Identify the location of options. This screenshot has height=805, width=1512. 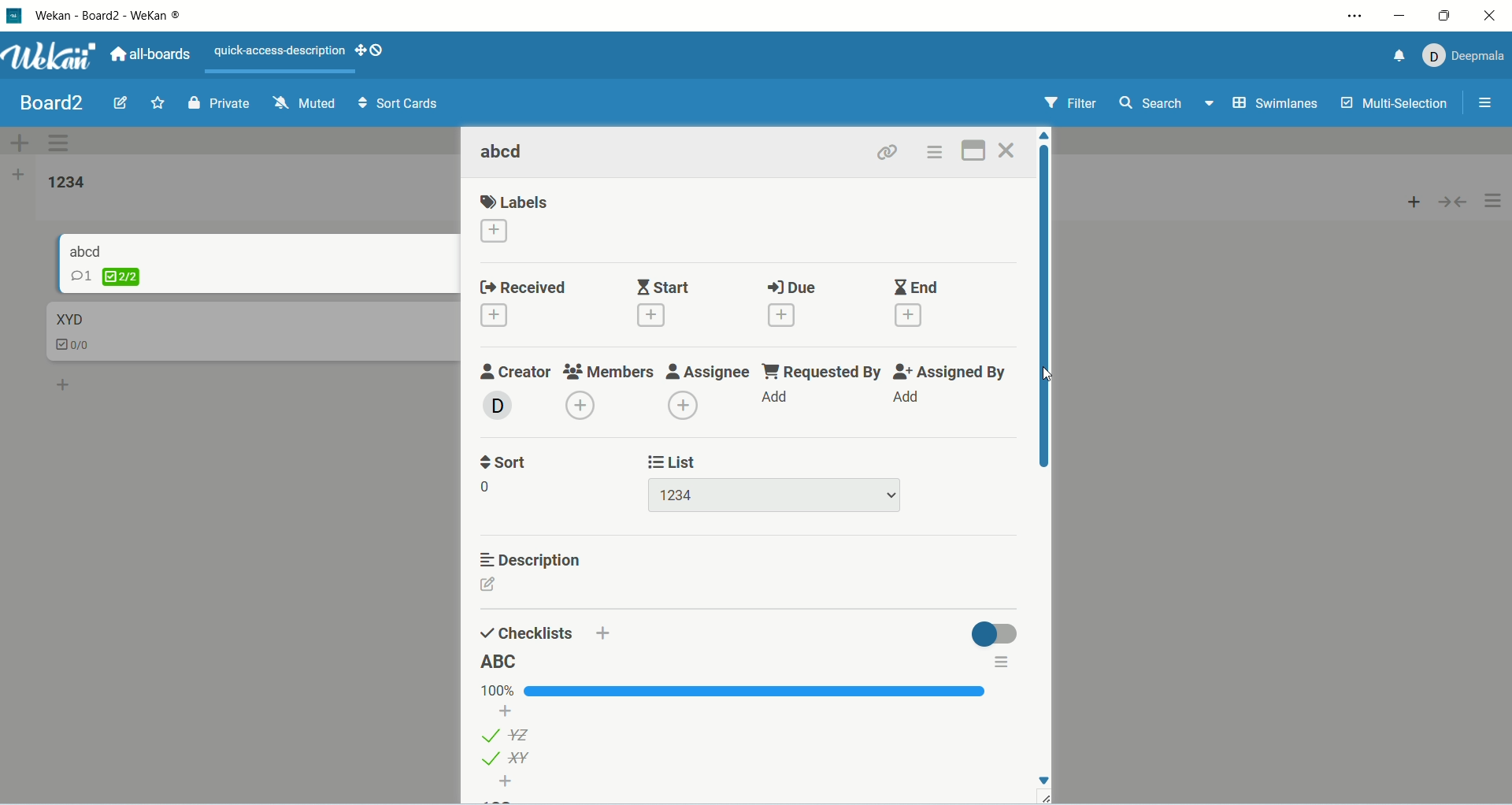
(1495, 202).